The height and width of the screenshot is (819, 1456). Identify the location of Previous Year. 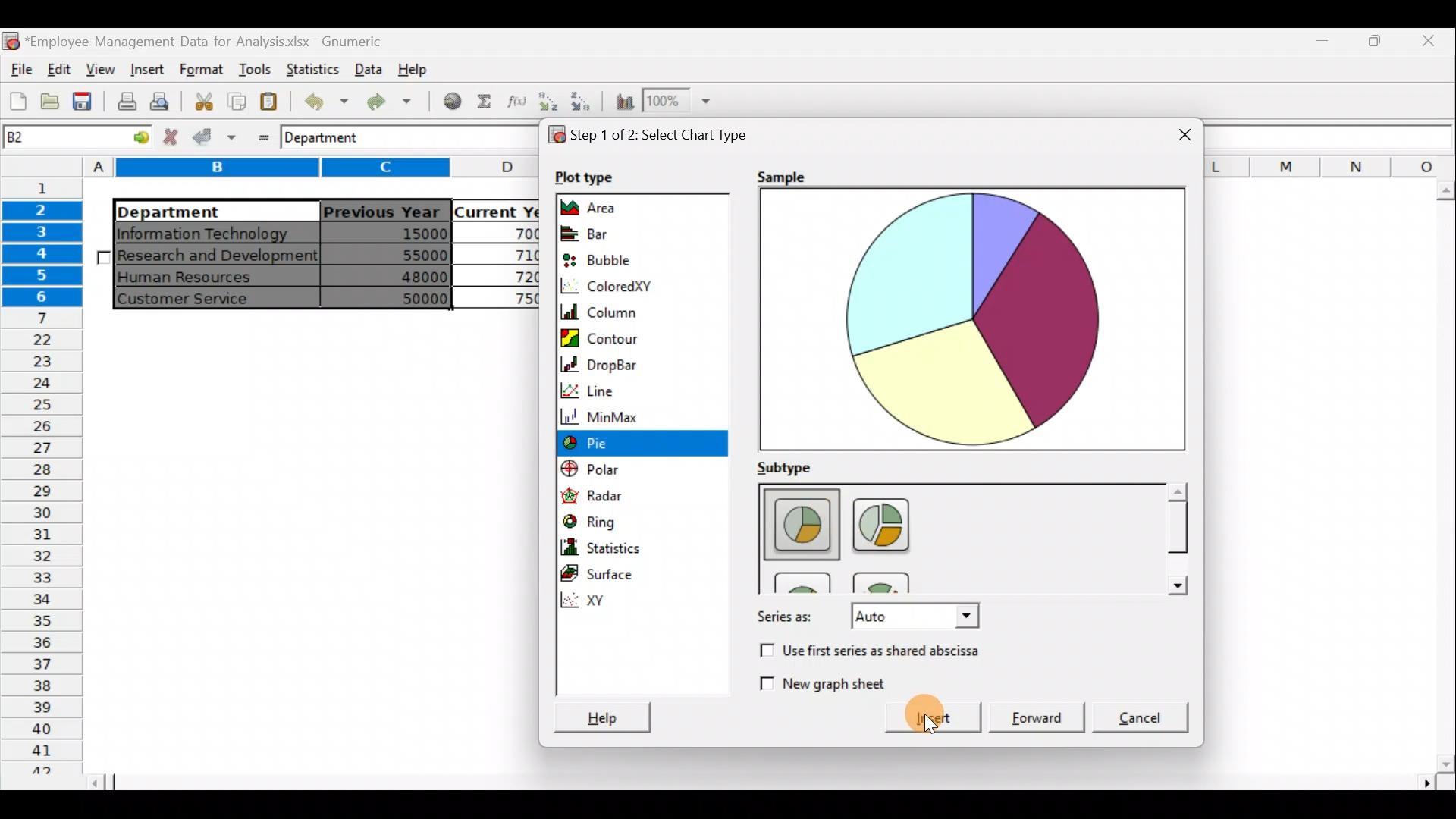
(382, 209).